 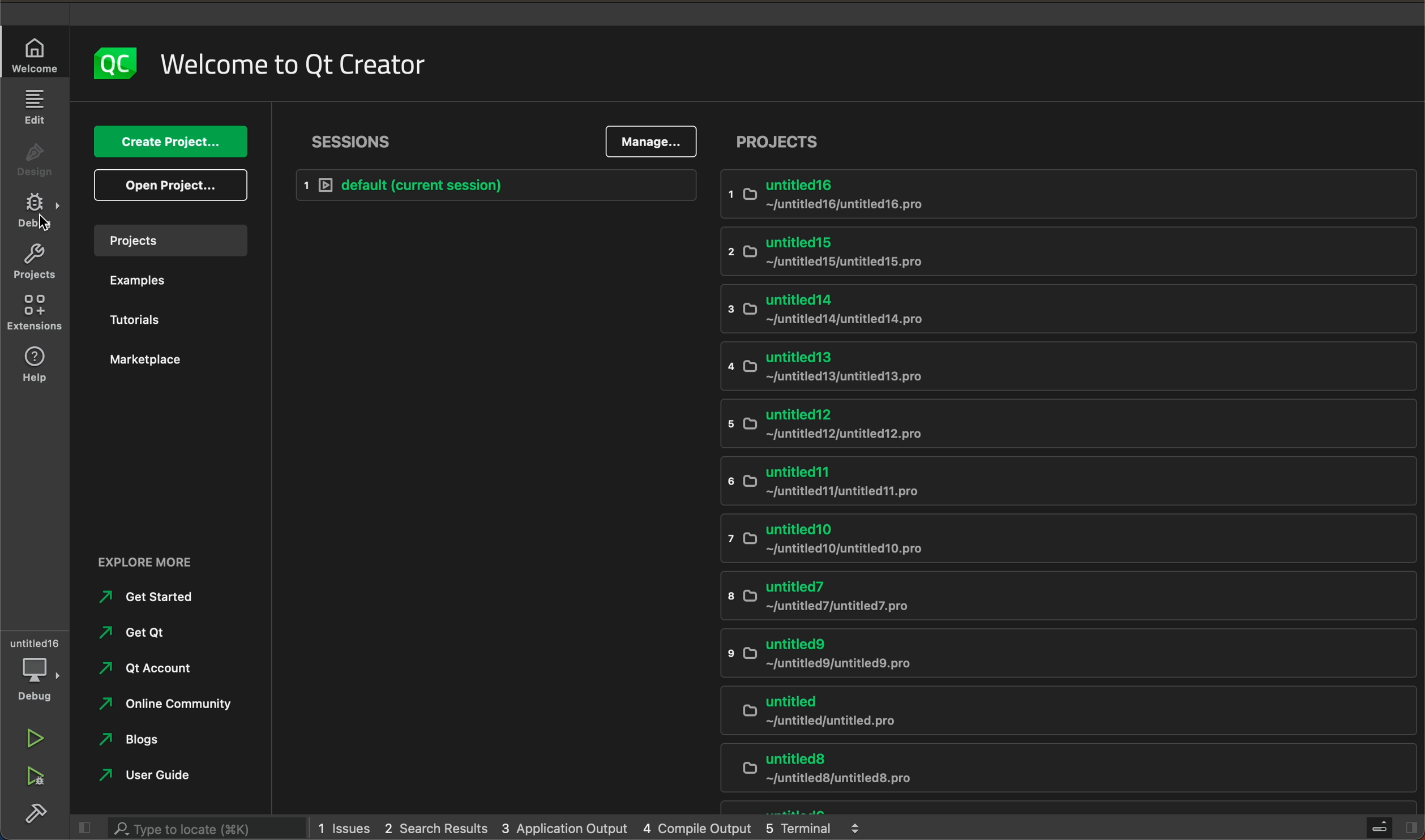 What do you see at coordinates (158, 601) in the screenshot?
I see `get started` at bounding box center [158, 601].